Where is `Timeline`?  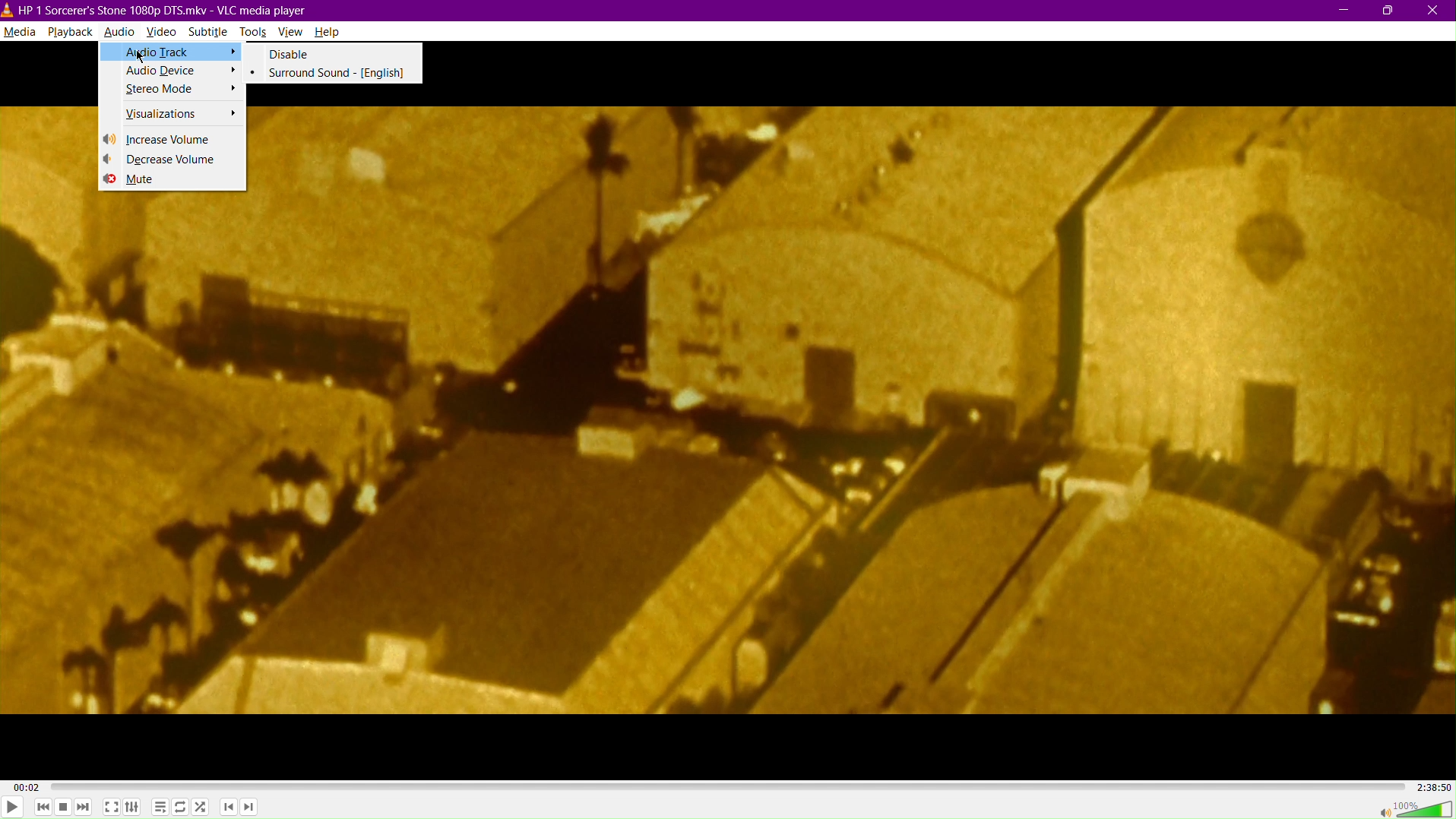
Timeline is located at coordinates (726, 786).